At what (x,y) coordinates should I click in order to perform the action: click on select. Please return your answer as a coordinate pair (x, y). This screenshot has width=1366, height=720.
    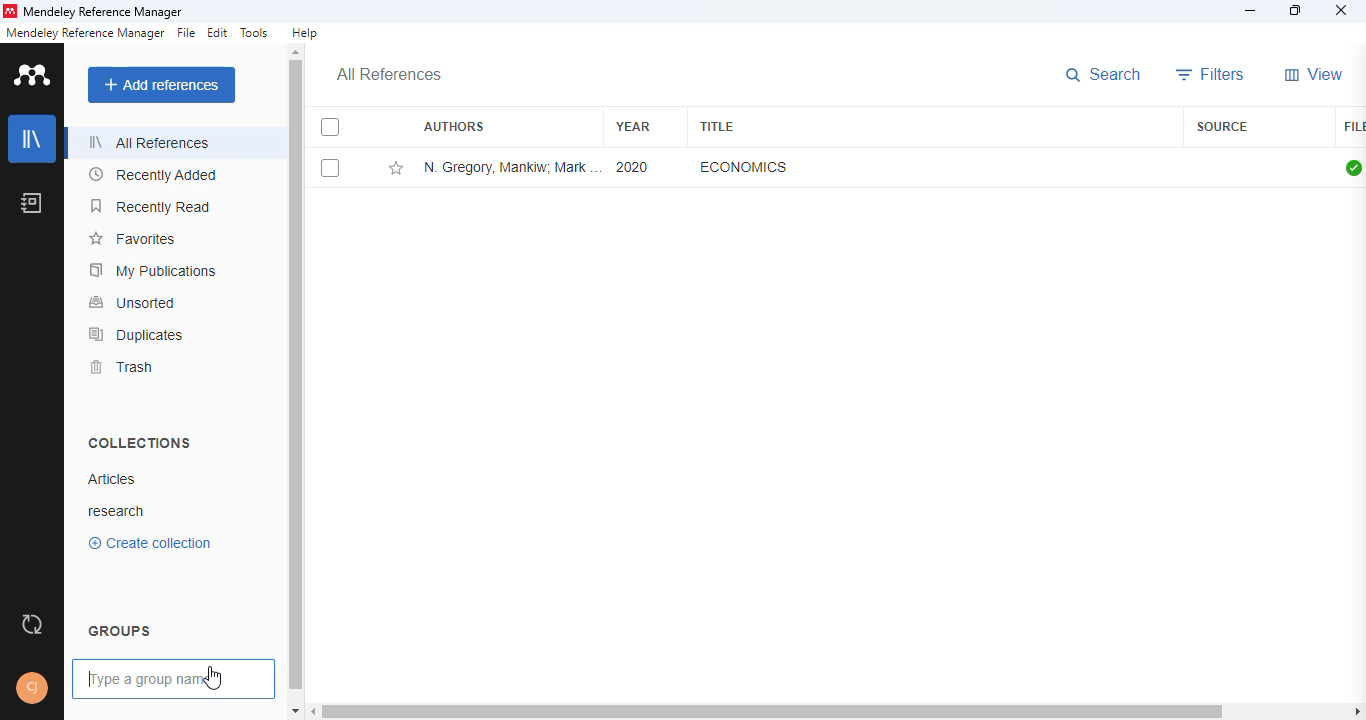
    Looking at the image, I should click on (331, 127).